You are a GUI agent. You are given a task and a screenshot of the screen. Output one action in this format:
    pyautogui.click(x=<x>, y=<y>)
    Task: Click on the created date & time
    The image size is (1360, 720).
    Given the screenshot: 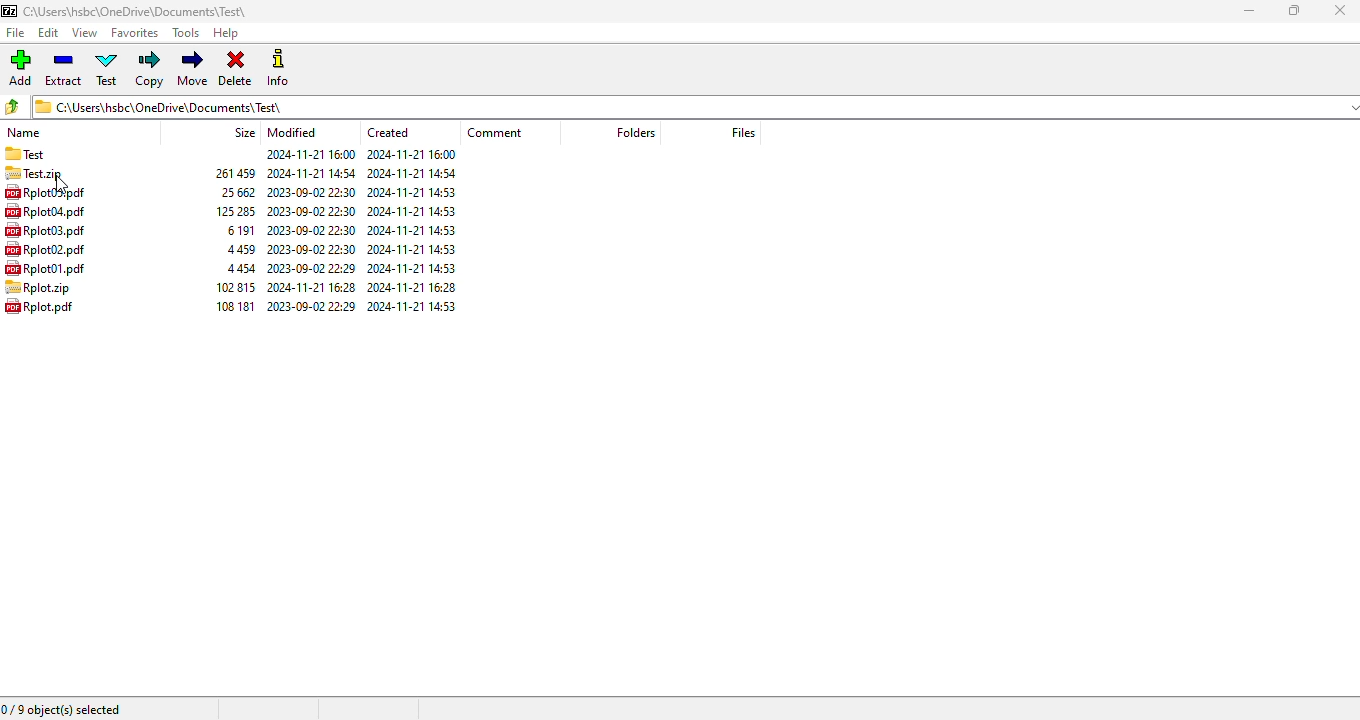 What is the action you would take?
    pyautogui.click(x=411, y=155)
    